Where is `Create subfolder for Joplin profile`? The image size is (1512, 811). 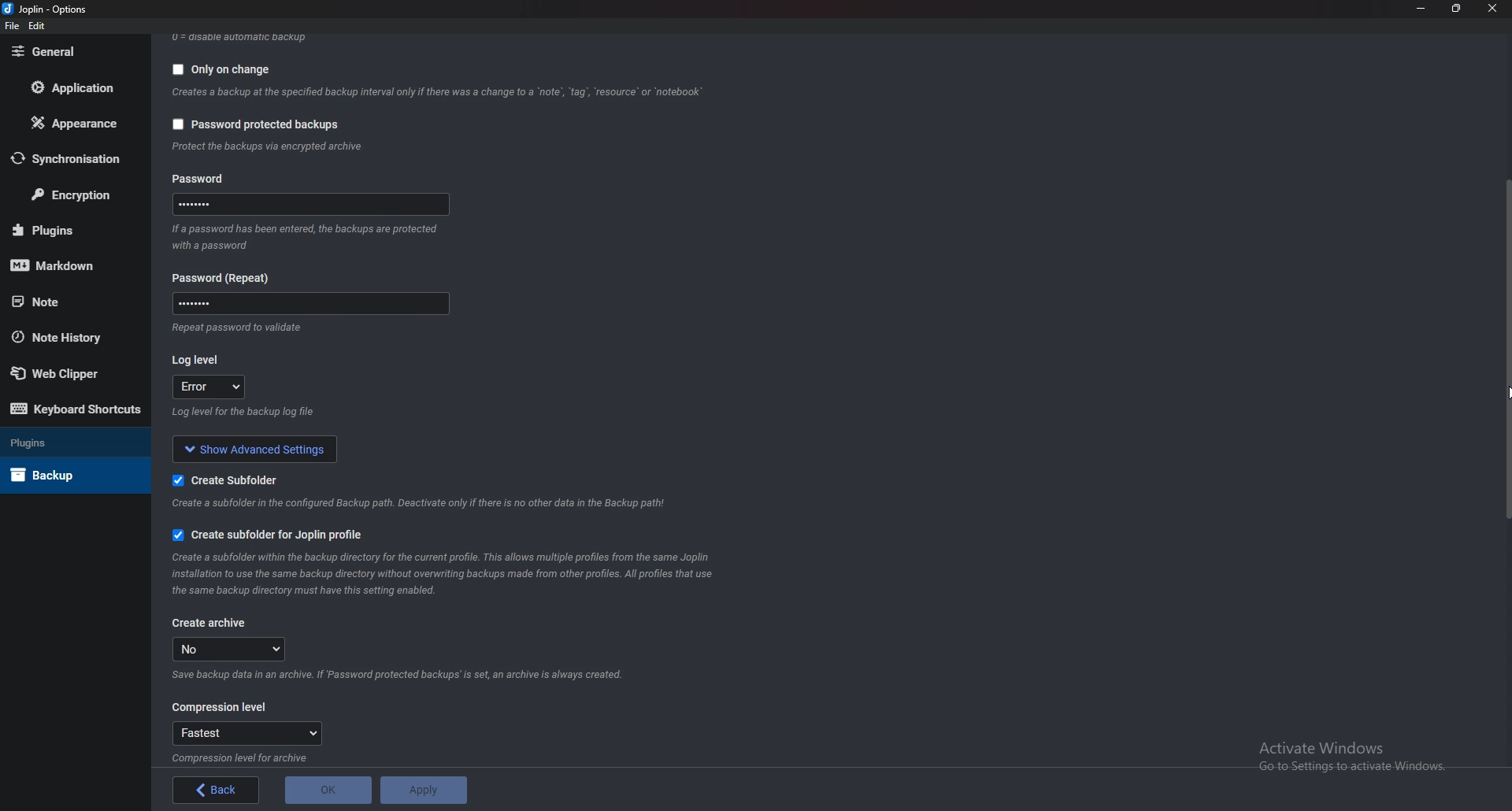
Create subfolder for Joplin profile is located at coordinates (269, 536).